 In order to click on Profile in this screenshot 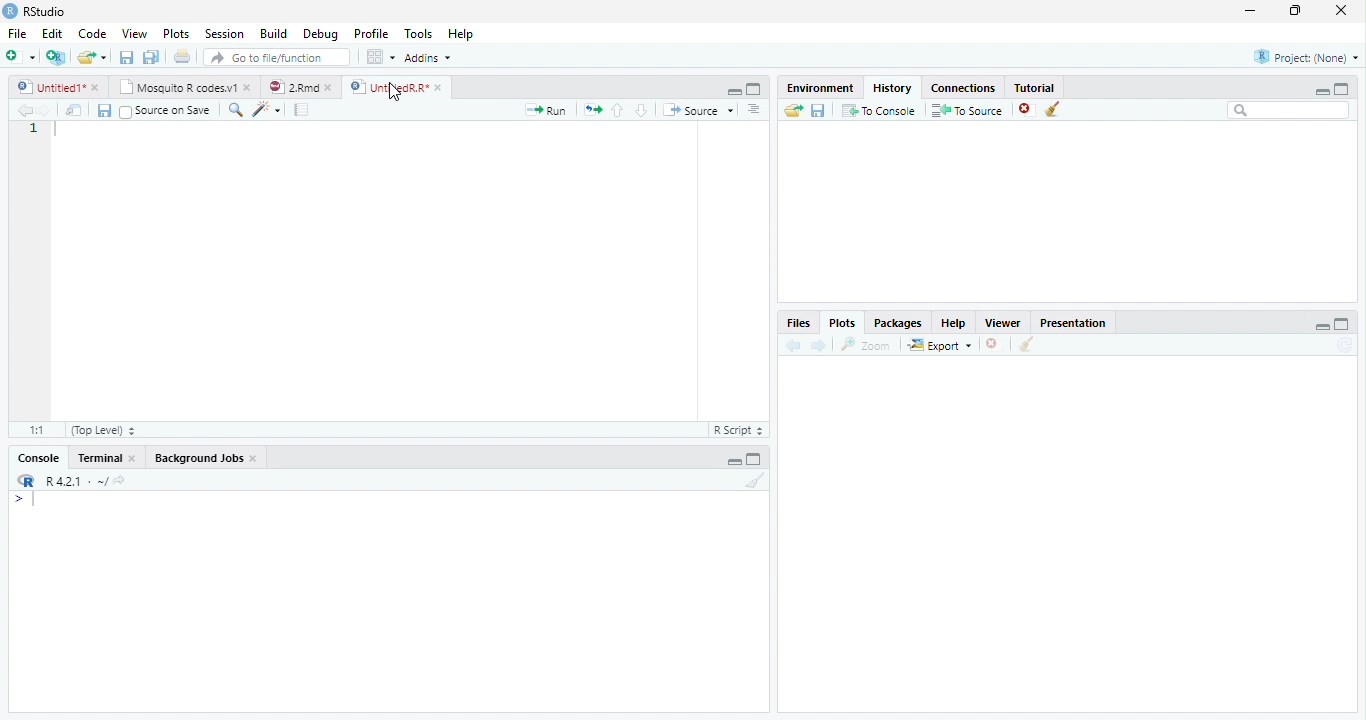, I will do `click(372, 33)`.